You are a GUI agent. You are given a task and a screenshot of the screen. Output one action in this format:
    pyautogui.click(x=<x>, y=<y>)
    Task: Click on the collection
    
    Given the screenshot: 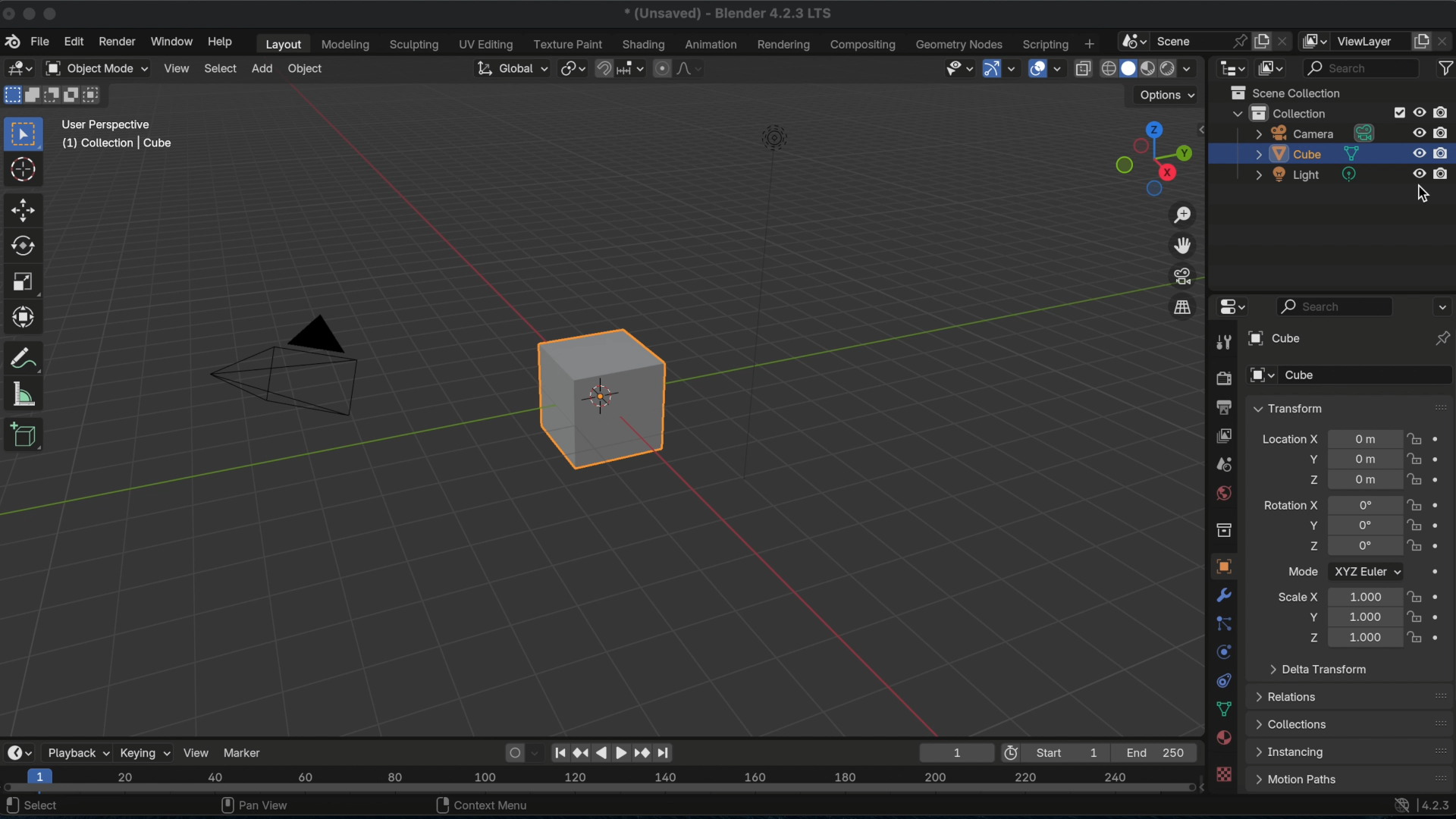 What is the action you would take?
    pyautogui.click(x=1224, y=531)
    